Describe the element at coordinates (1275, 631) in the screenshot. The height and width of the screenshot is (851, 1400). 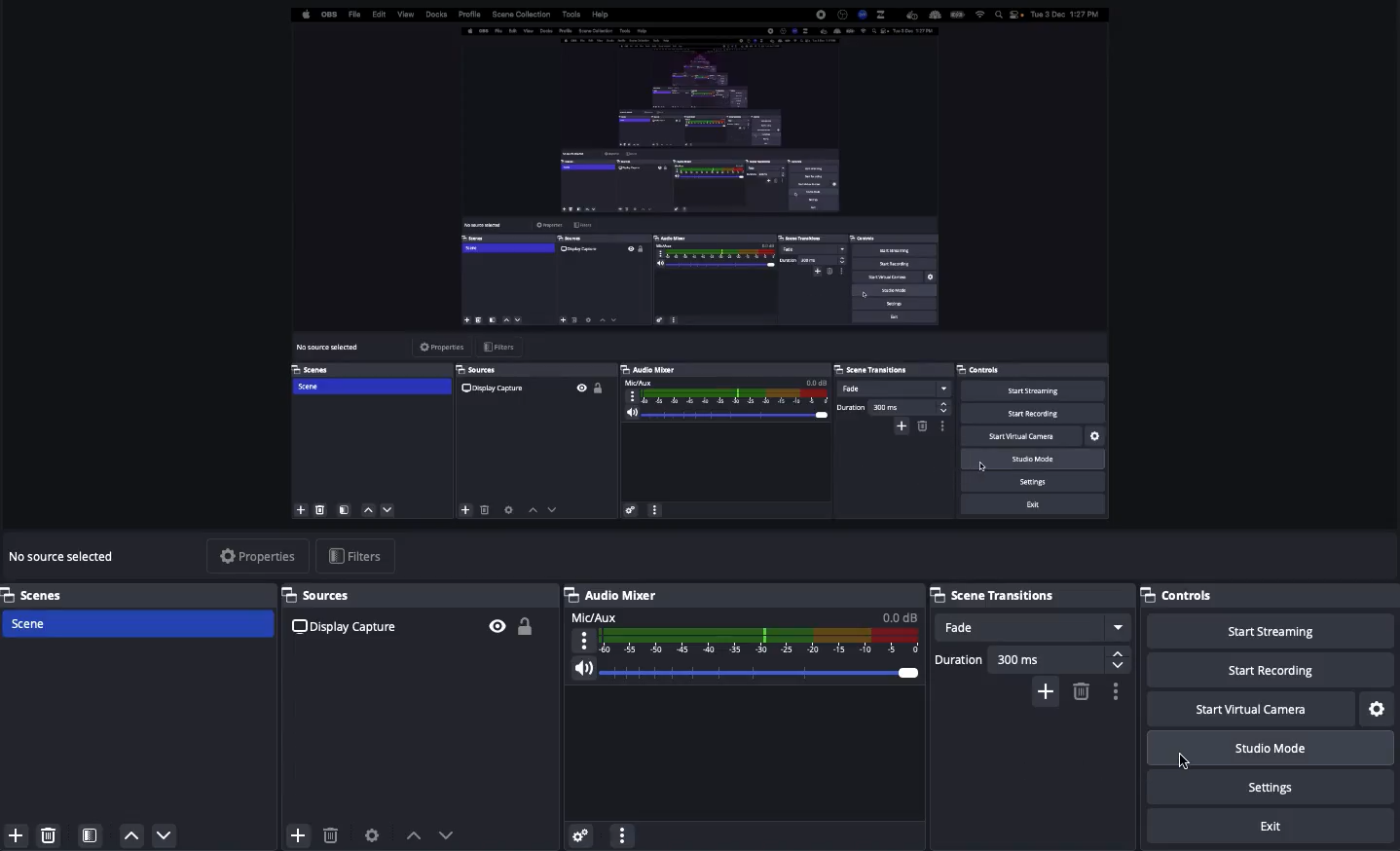
I see `Start streaming` at that location.